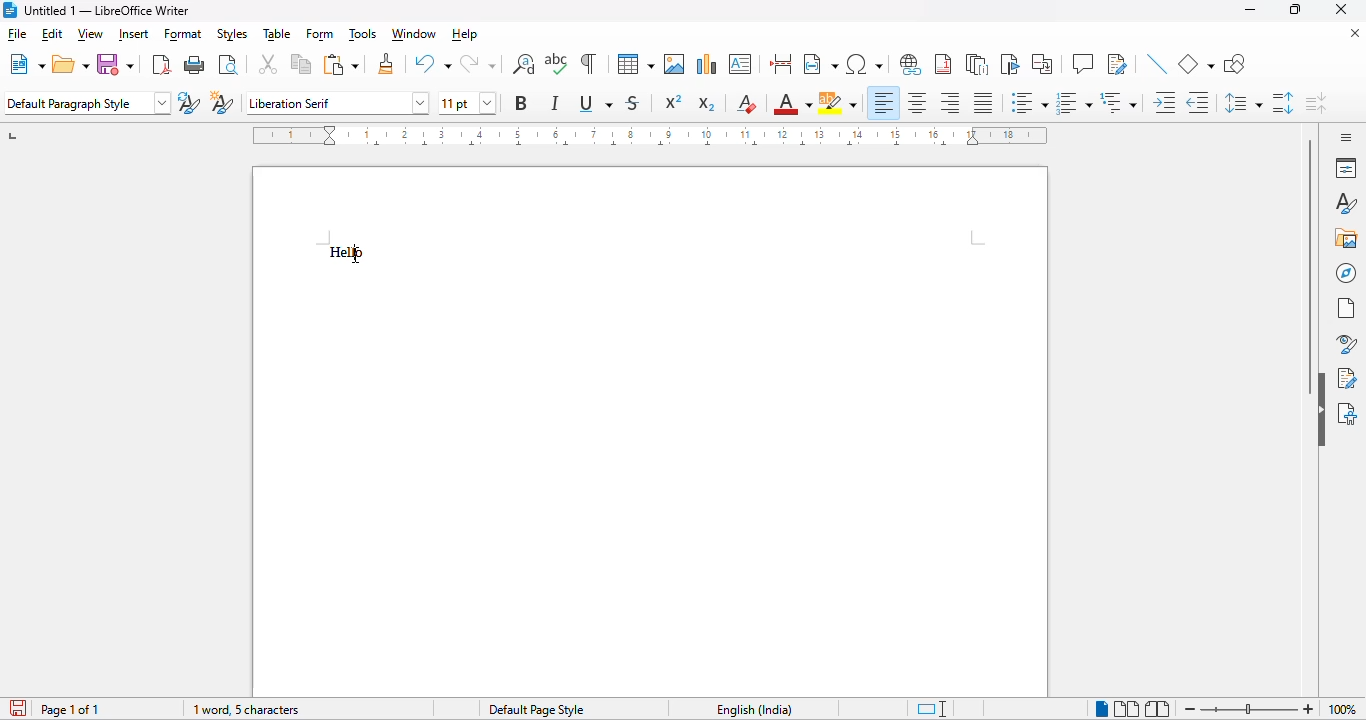 This screenshot has width=1366, height=720. I want to click on multi-page view, so click(1126, 709).